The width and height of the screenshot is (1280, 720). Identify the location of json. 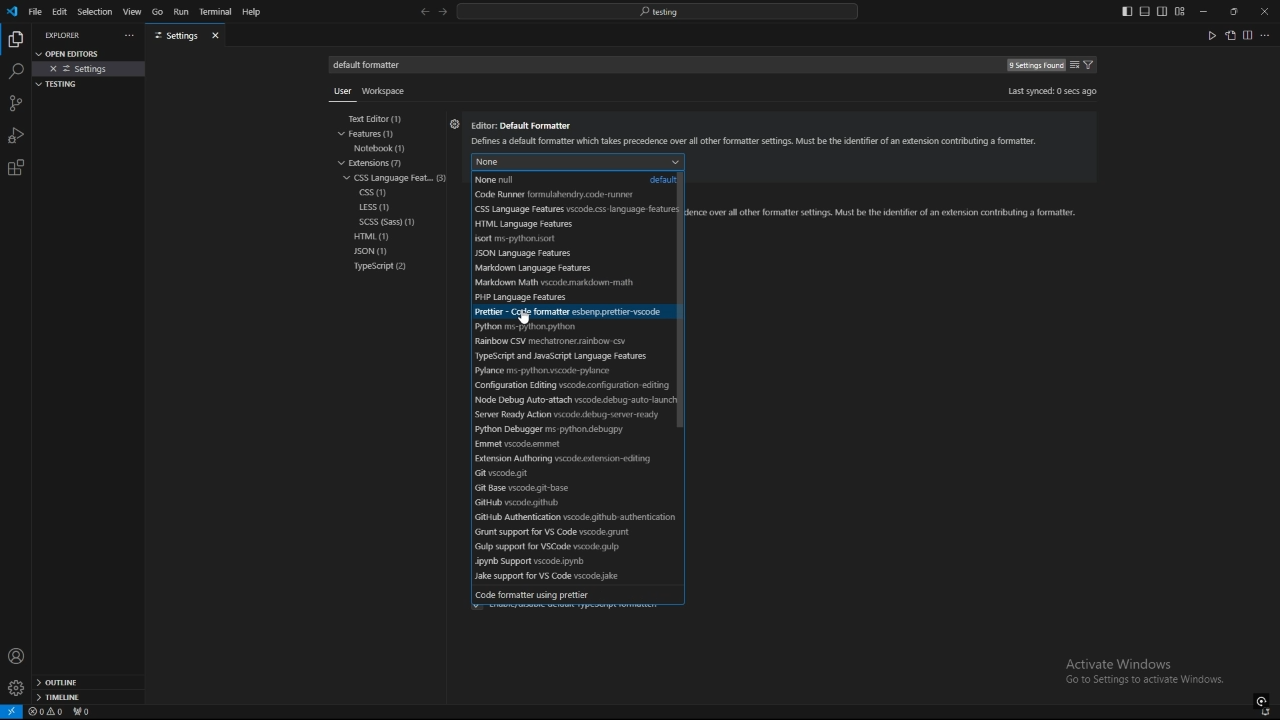
(558, 254).